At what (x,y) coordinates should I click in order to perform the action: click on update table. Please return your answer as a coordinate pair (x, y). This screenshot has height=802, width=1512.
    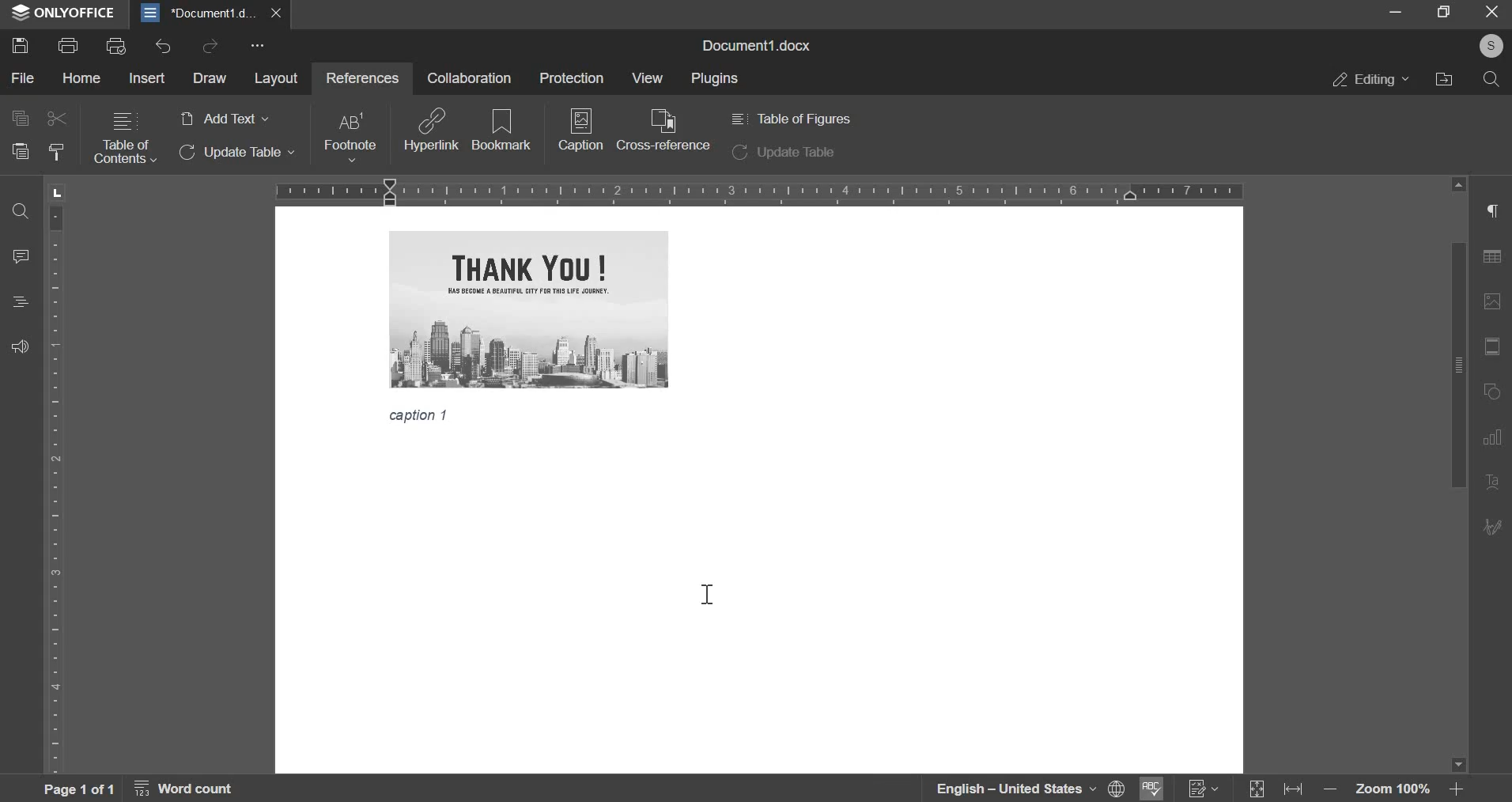
    Looking at the image, I should click on (238, 153).